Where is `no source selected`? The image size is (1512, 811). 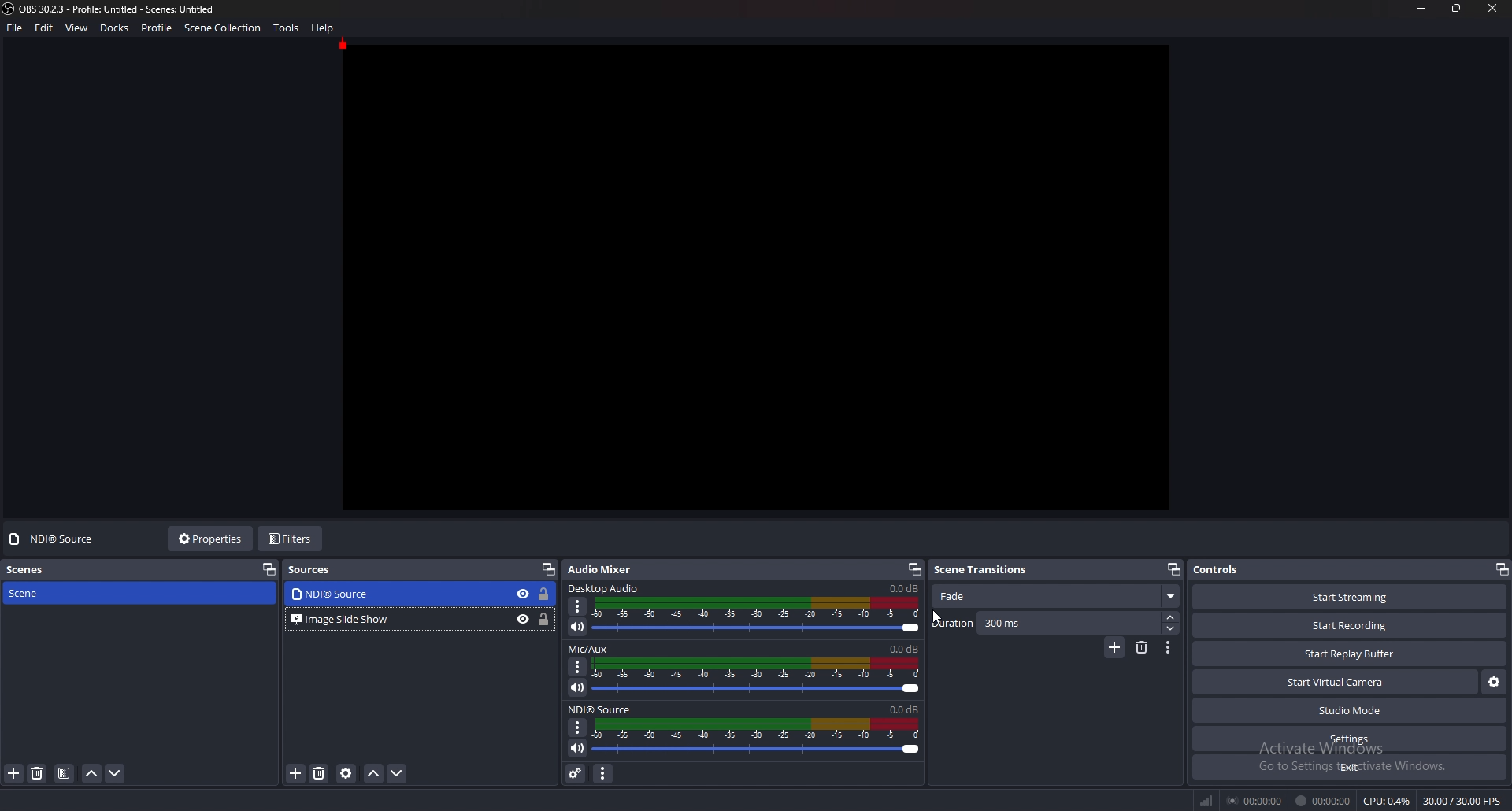
no source selected is located at coordinates (56, 538).